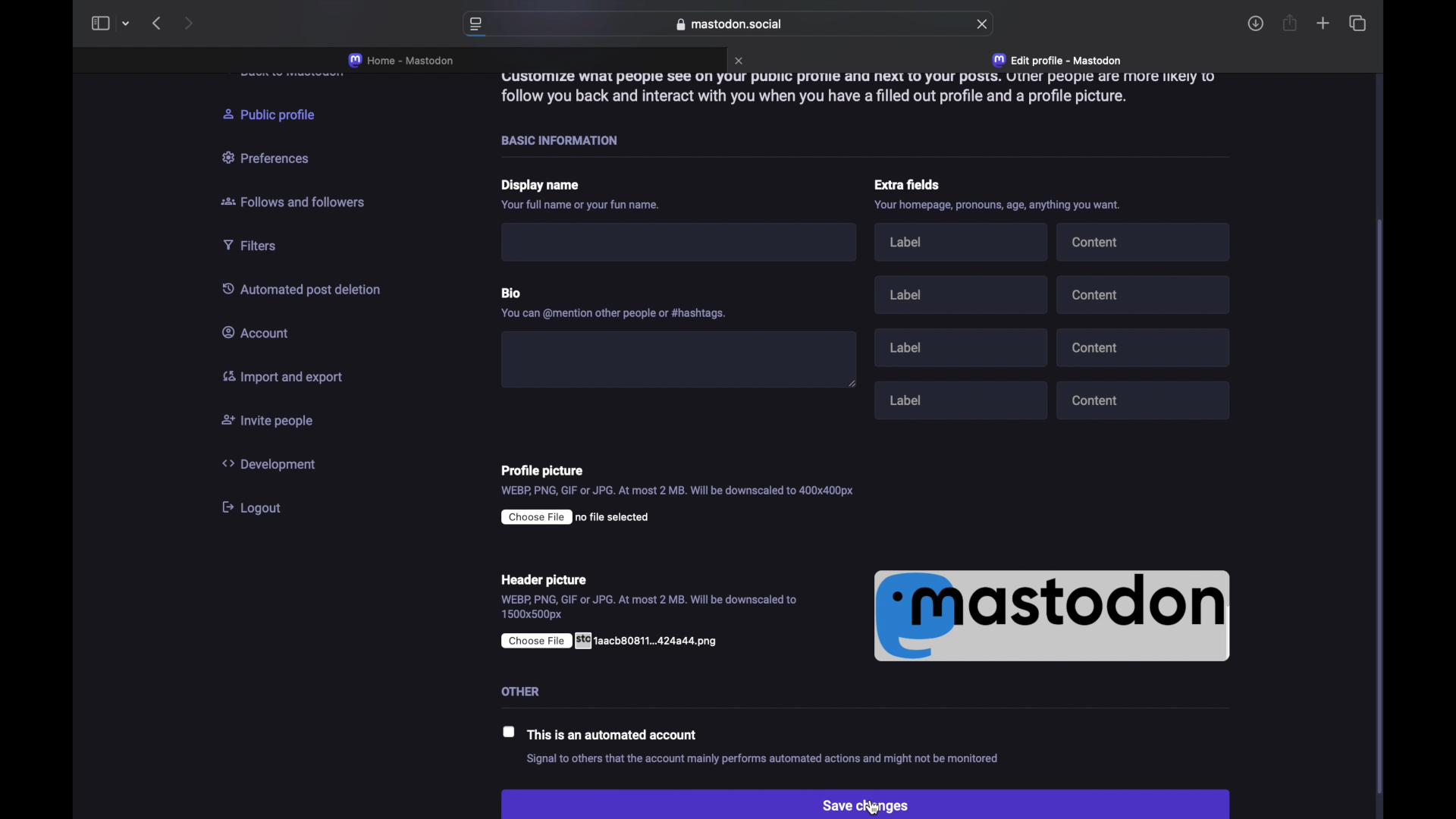  Describe the element at coordinates (188, 23) in the screenshot. I see `next` at that location.